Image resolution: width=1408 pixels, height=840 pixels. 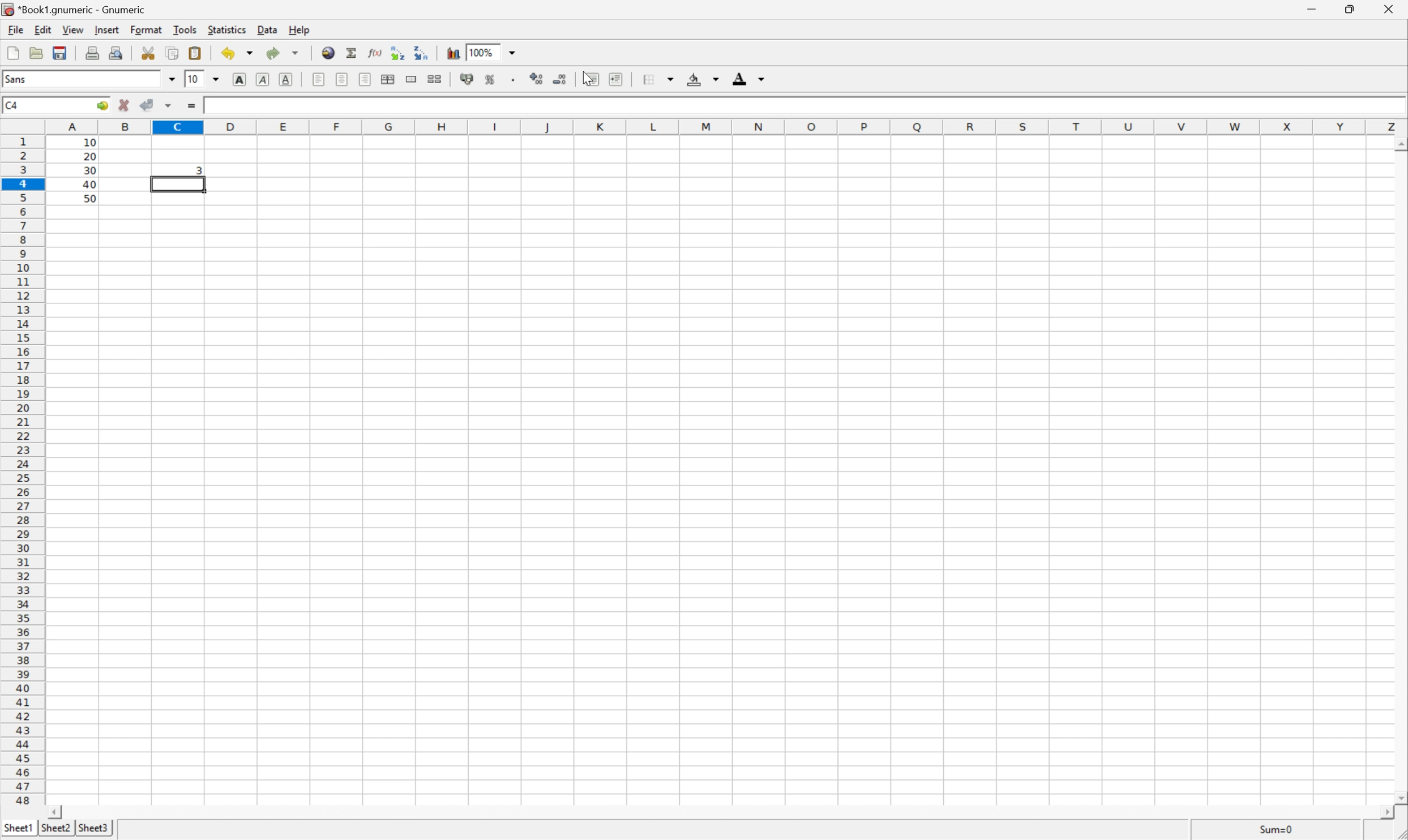 I want to click on Cut the selection, so click(x=147, y=52).